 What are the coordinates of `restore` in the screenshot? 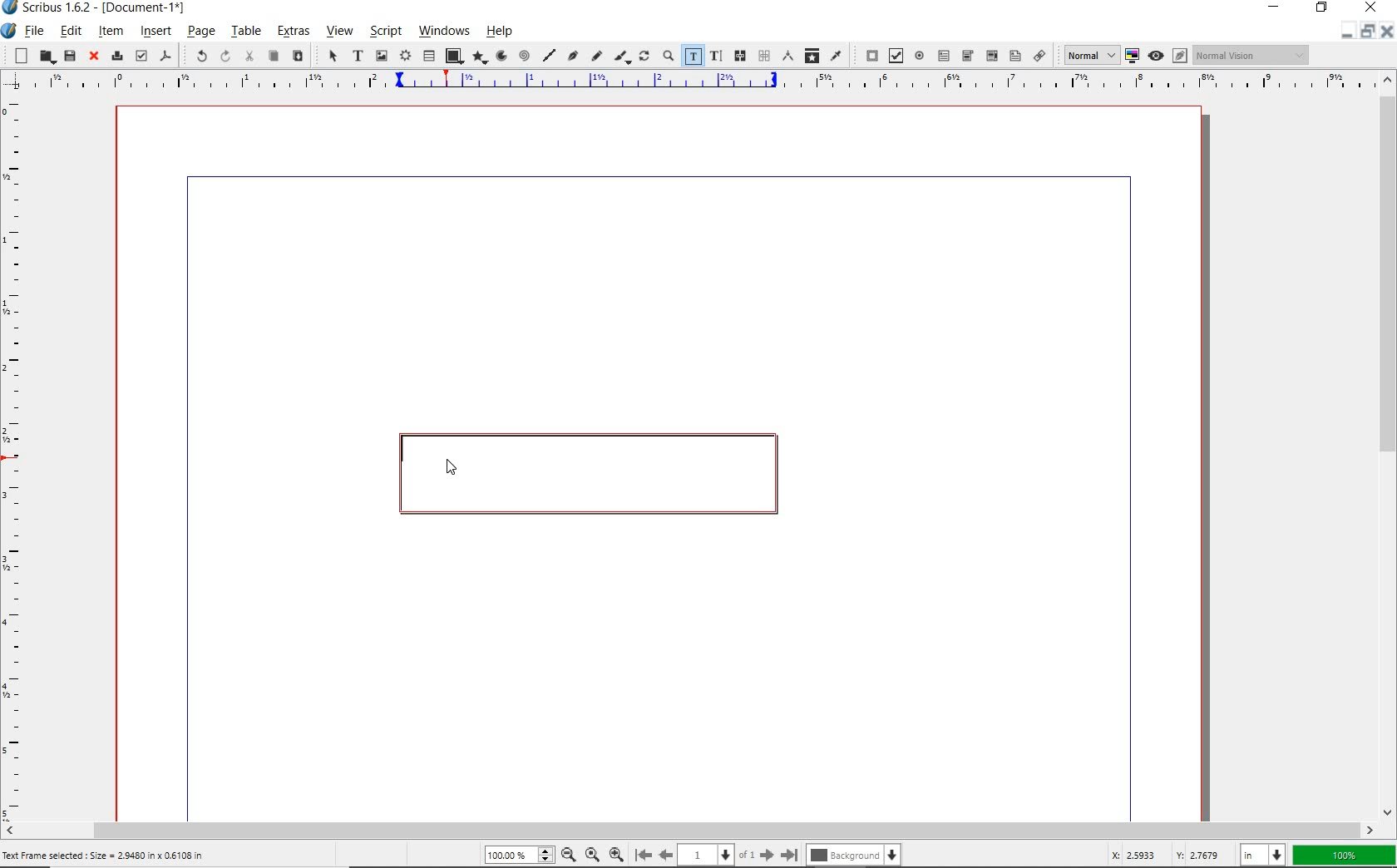 It's located at (1324, 9).